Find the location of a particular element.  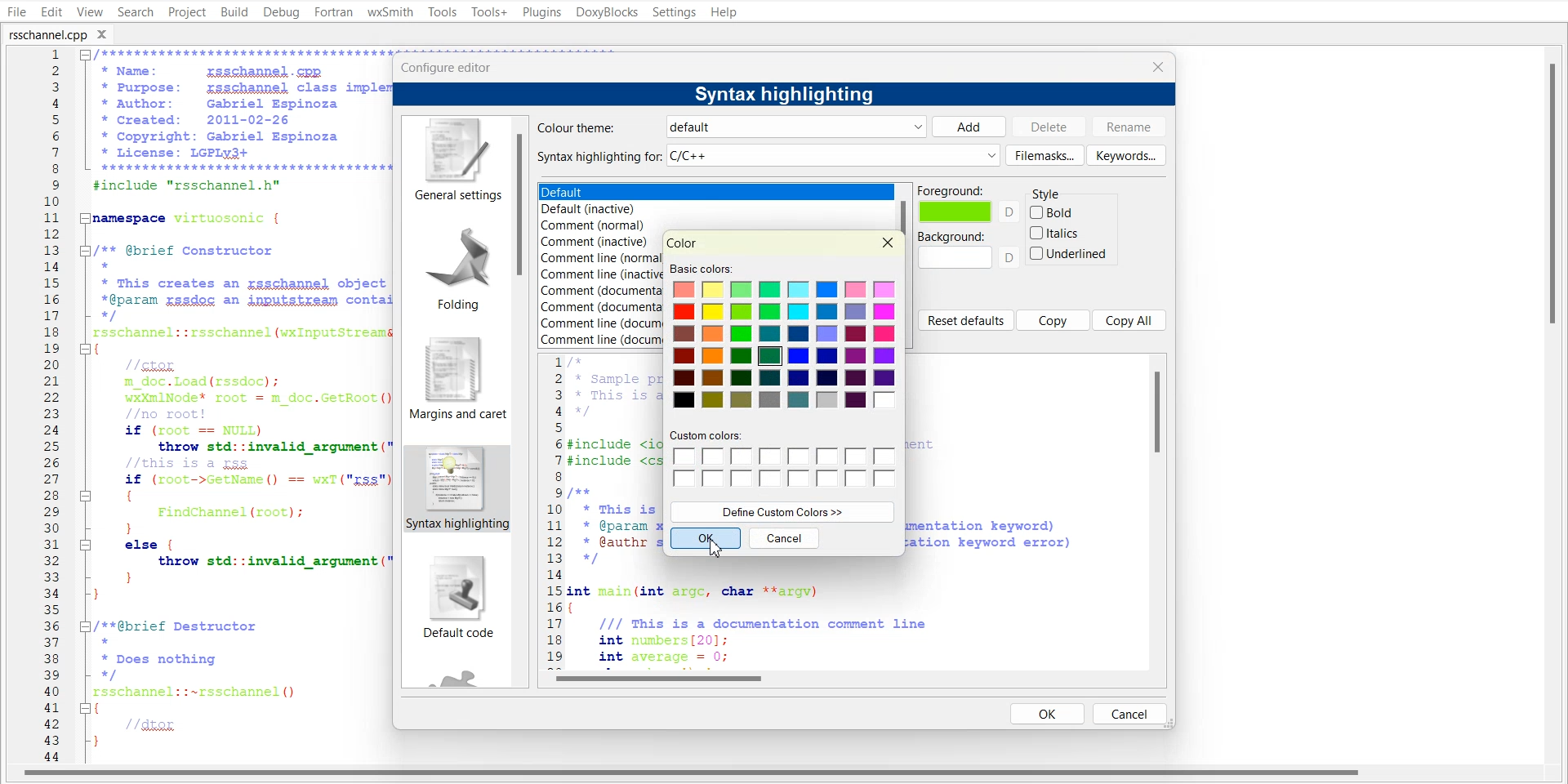

Style is located at coordinates (1055, 190).